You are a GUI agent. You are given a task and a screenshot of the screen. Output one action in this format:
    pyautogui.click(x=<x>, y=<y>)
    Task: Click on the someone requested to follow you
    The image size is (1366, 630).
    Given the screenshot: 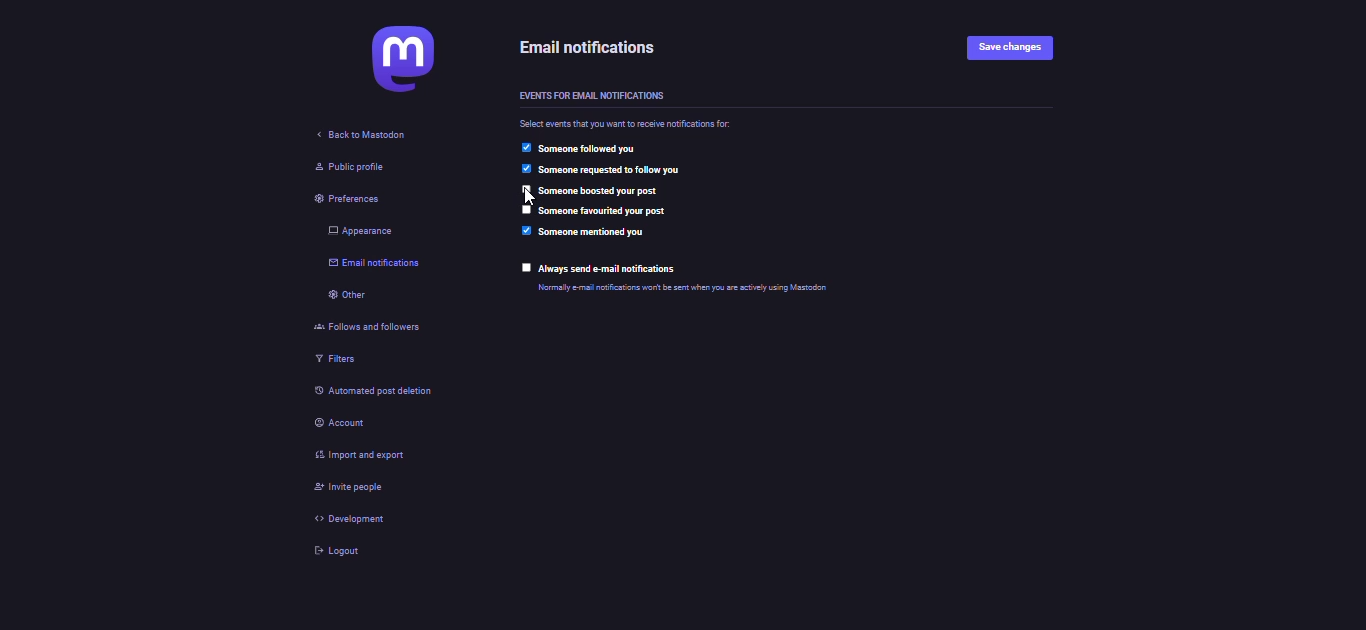 What is the action you would take?
    pyautogui.click(x=623, y=171)
    